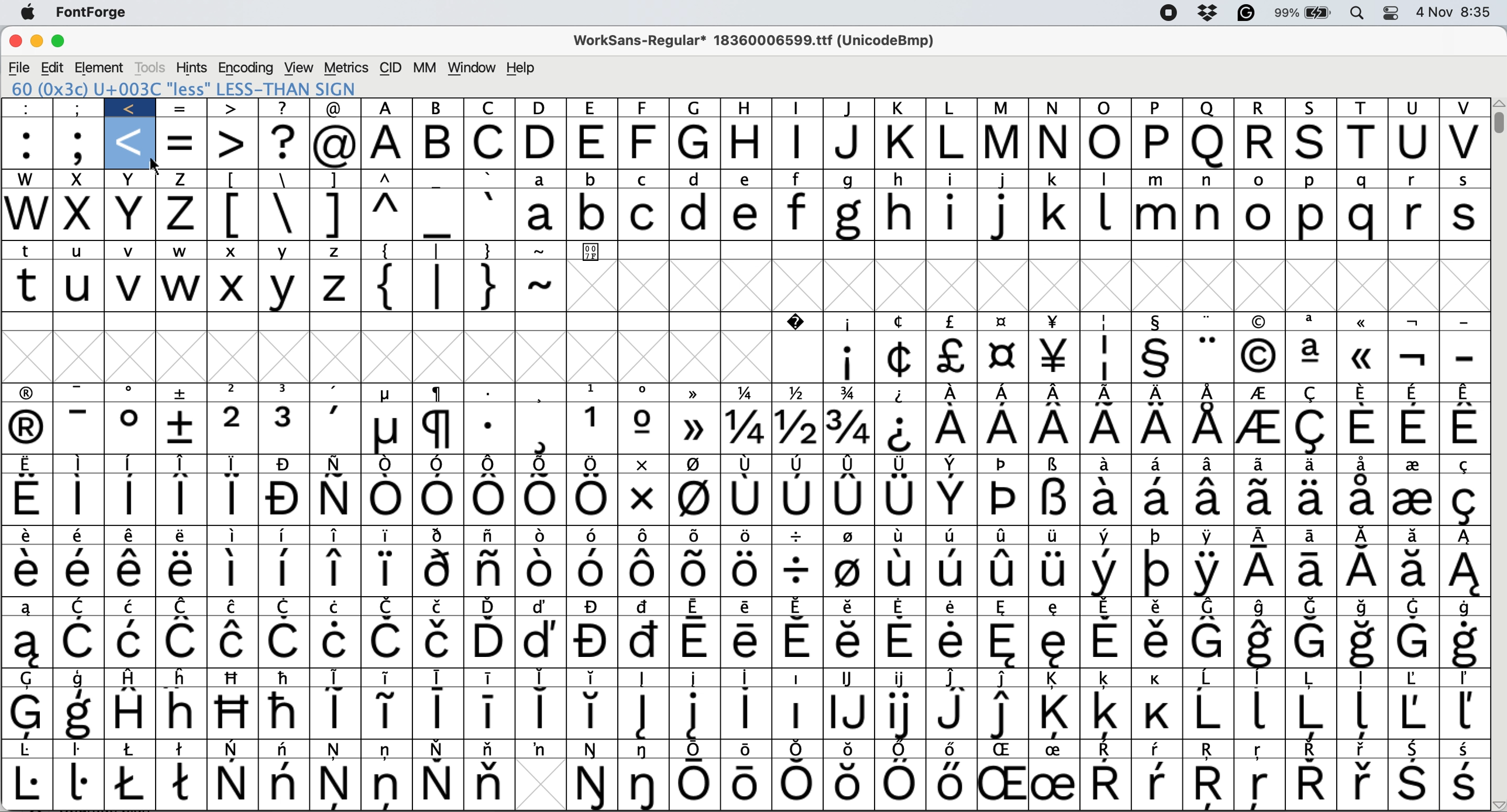 The width and height of the screenshot is (1507, 812). Describe the element at coordinates (1157, 321) in the screenshot. I see `Symbol` at that location.